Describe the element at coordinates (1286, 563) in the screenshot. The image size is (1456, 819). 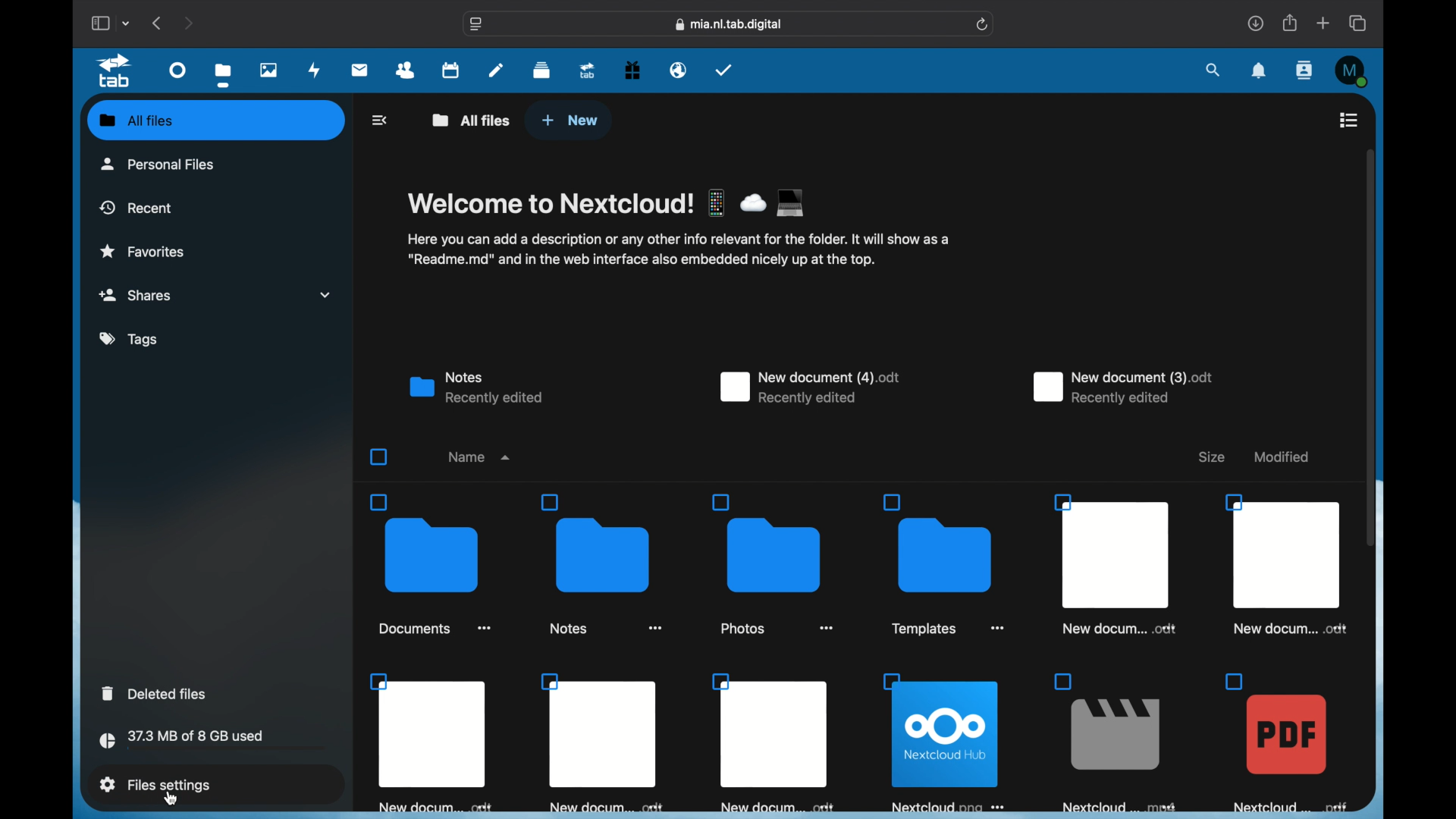
I see `file` at that location.